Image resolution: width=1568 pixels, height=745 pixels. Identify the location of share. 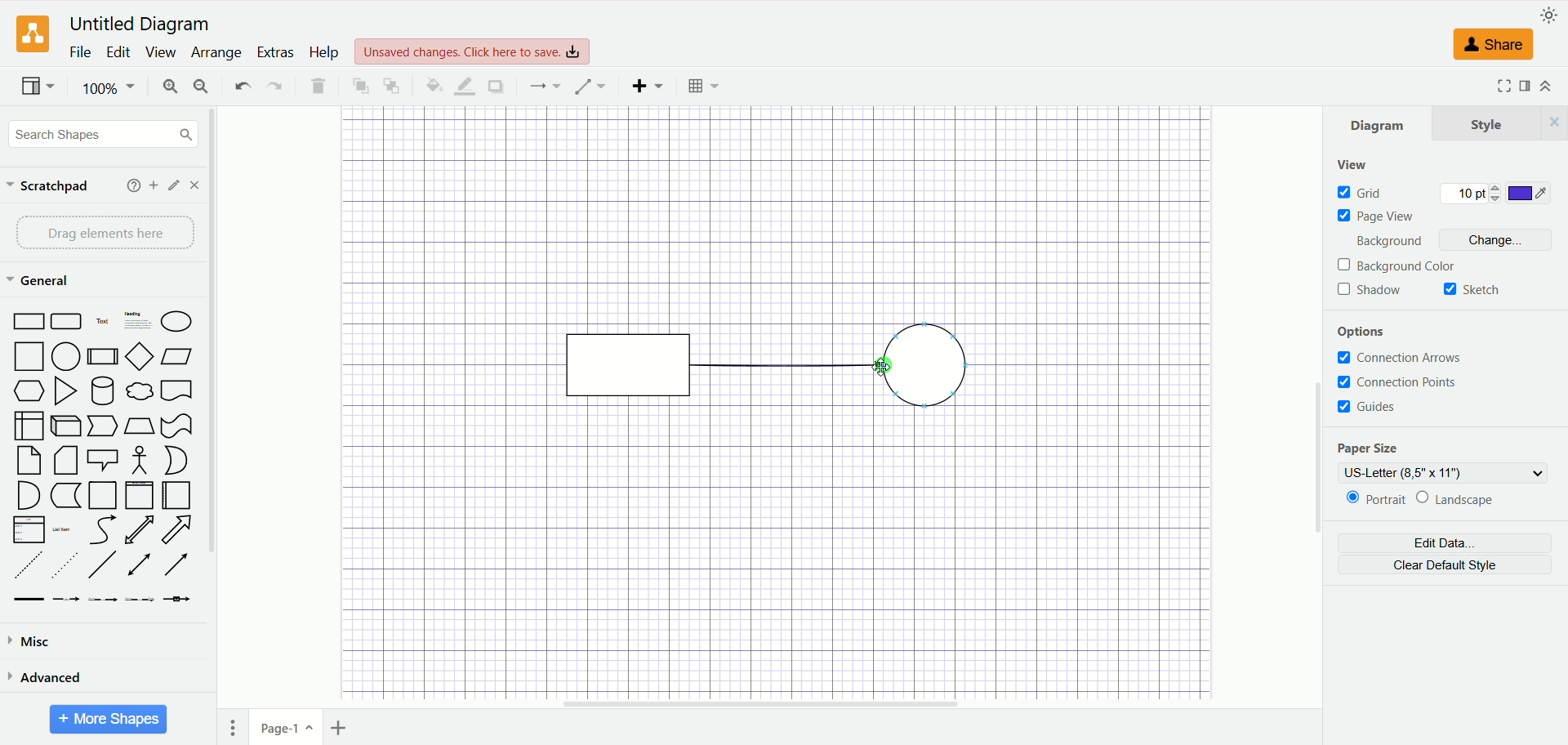
(1493, 45).